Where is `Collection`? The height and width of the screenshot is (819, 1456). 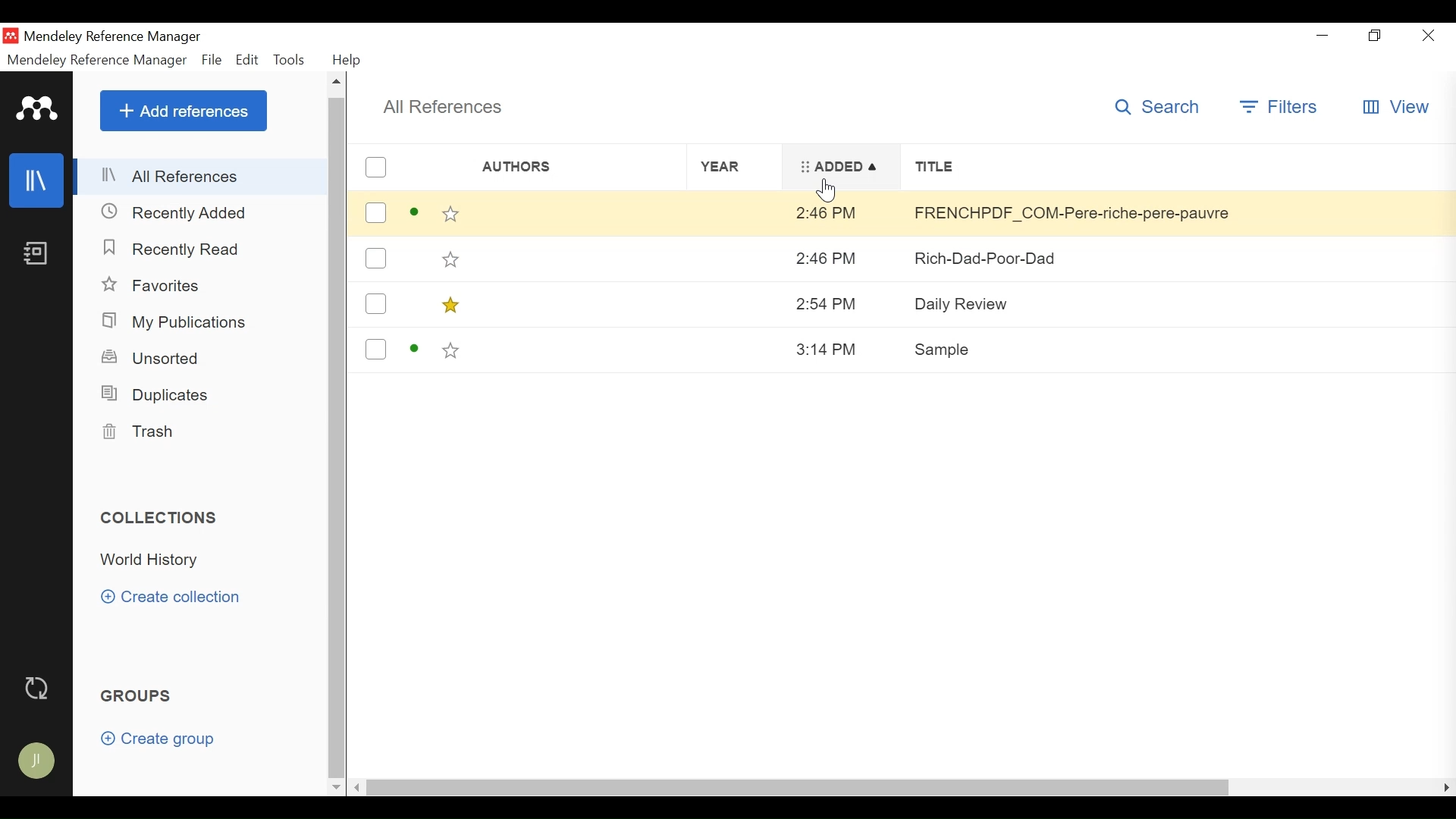 Collection is located at coordinates (155, 560).